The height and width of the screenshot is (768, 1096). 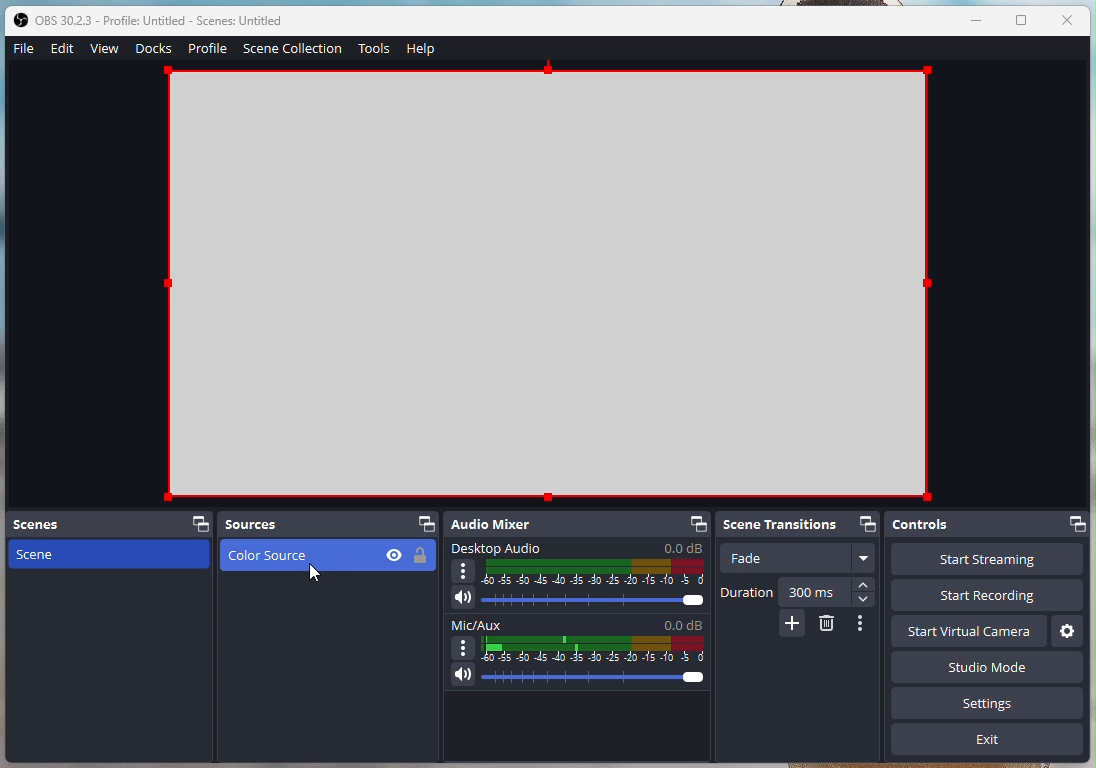 I want to click on Desktop Audio, so click(x=580, y=577).